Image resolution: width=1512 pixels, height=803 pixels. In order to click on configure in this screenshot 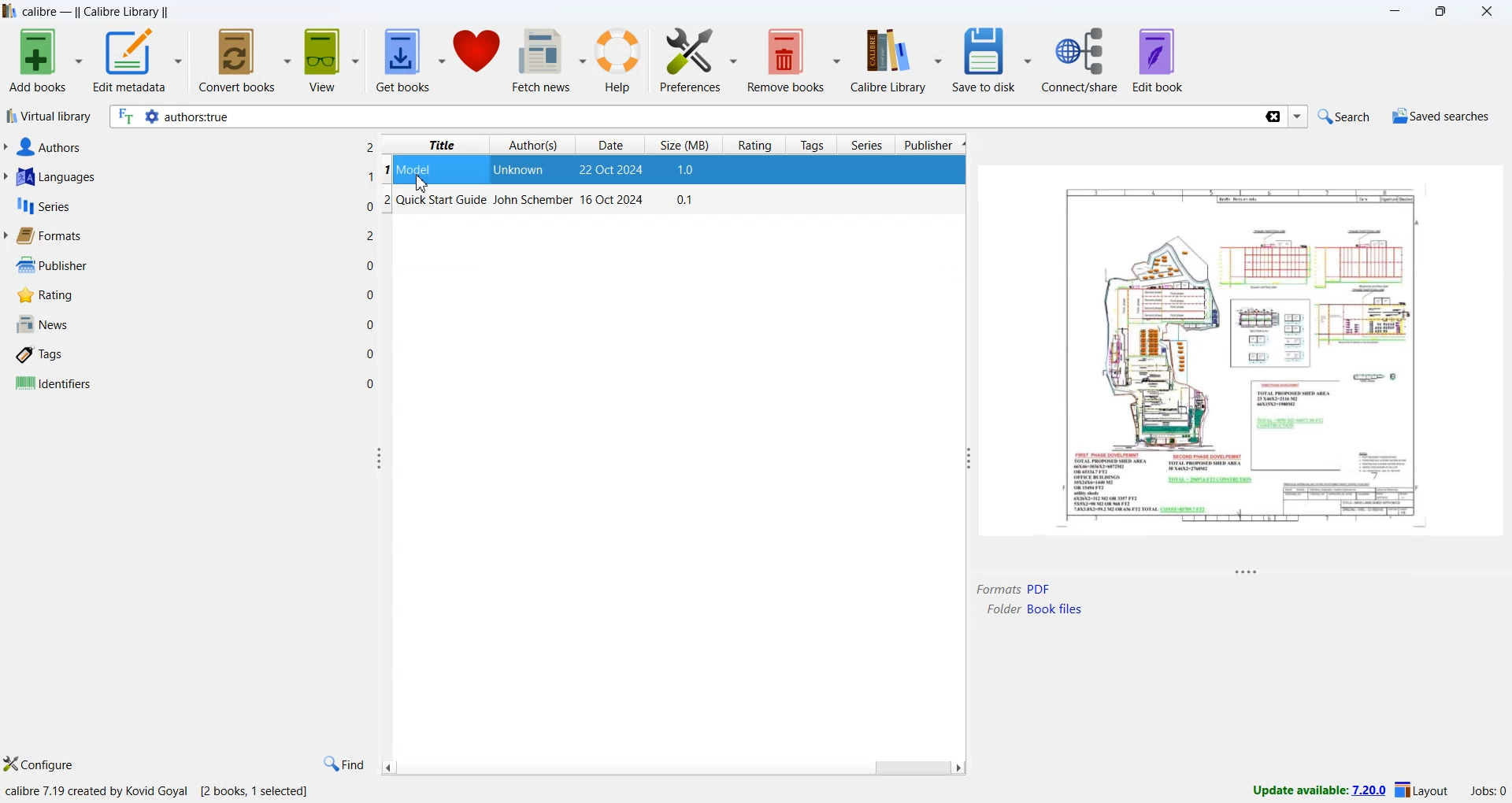, I will do `click(40, 765)`.